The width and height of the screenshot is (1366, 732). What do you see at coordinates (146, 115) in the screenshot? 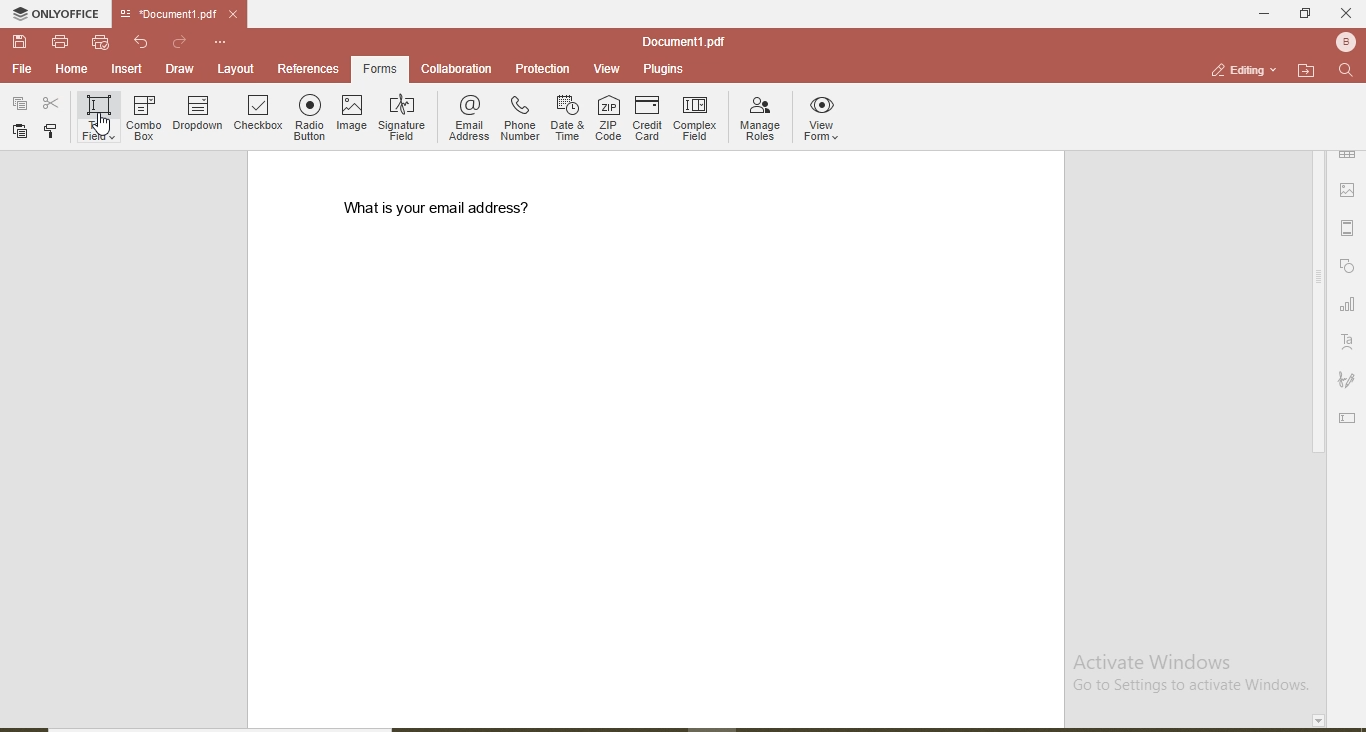
I see `combo box` at bounding box center [146, 115].